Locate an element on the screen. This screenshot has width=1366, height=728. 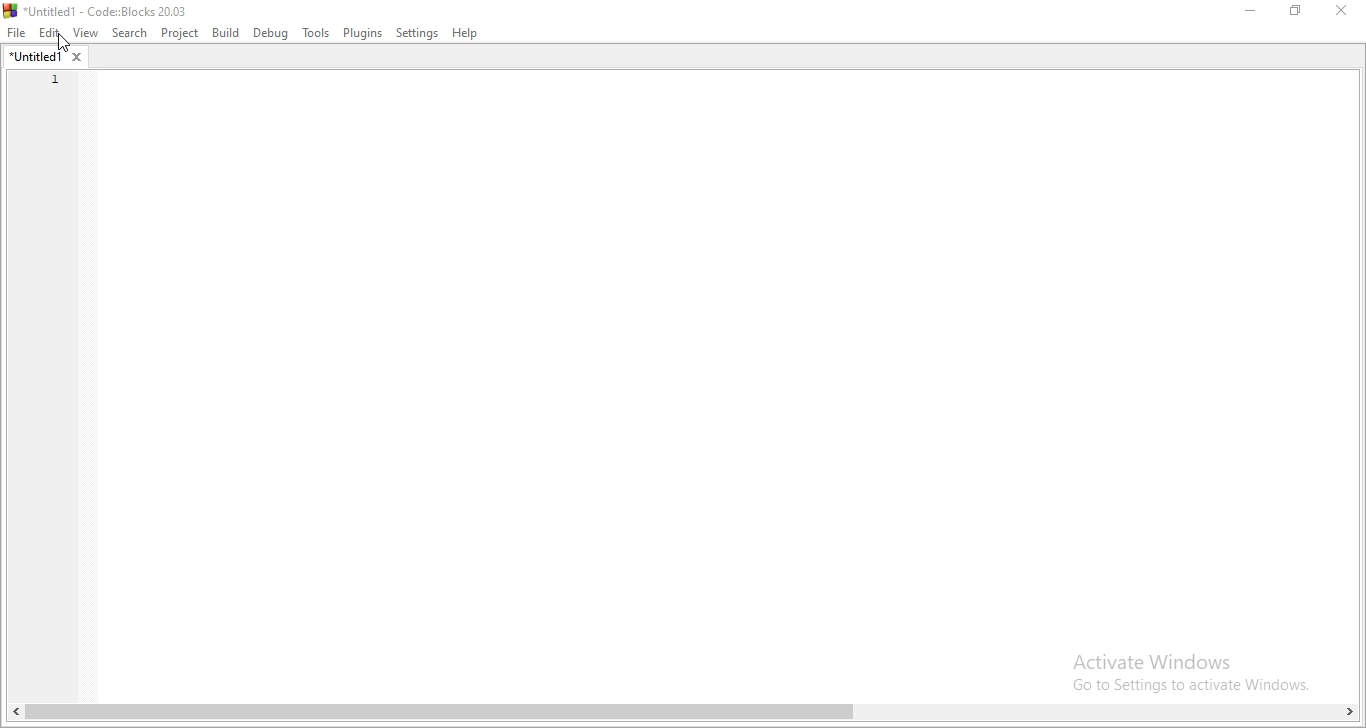
File is located at coordinates (15, 32).